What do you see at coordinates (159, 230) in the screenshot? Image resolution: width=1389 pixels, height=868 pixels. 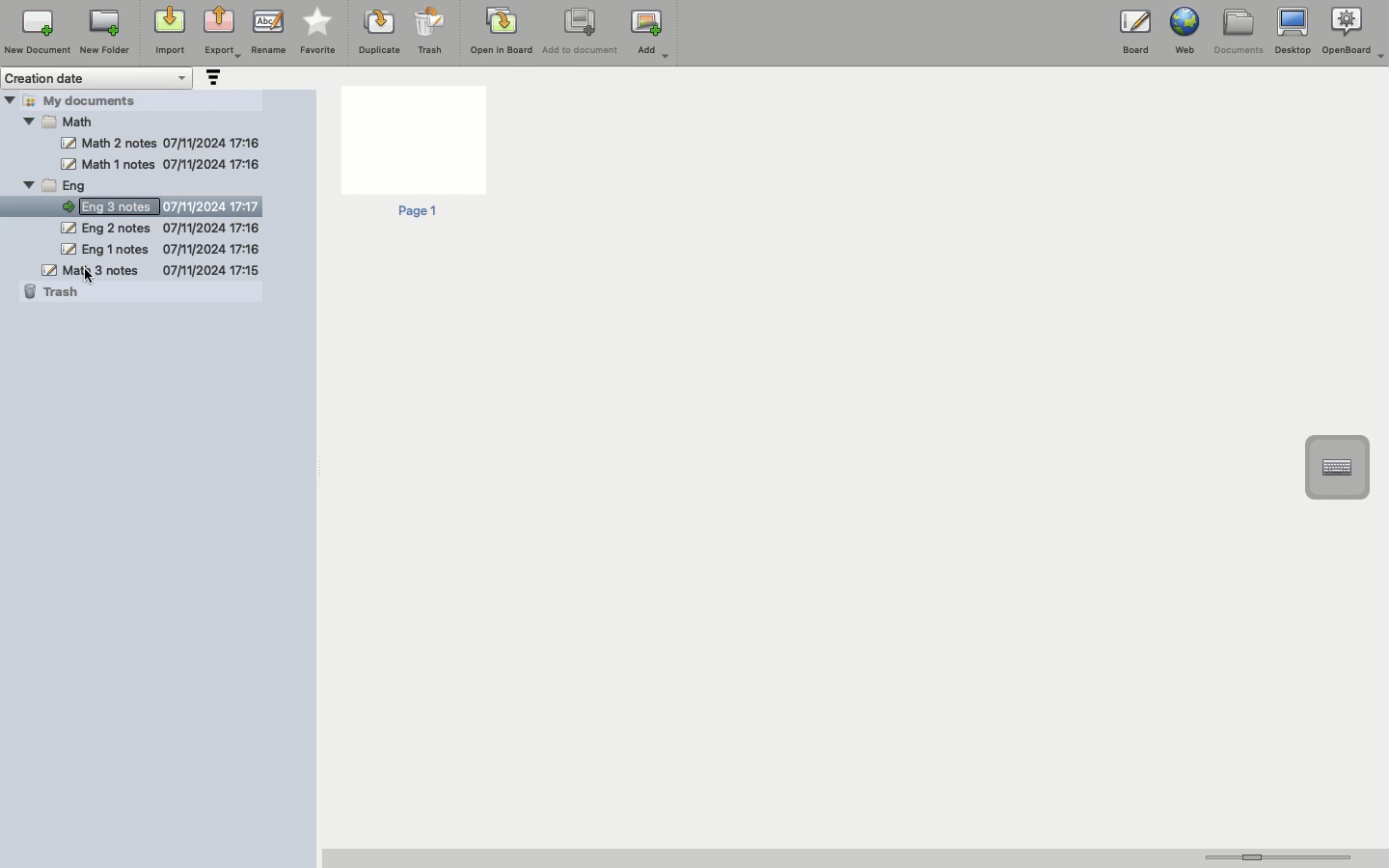 I see `Eng 2 notes` at bounding box center [159, 230].